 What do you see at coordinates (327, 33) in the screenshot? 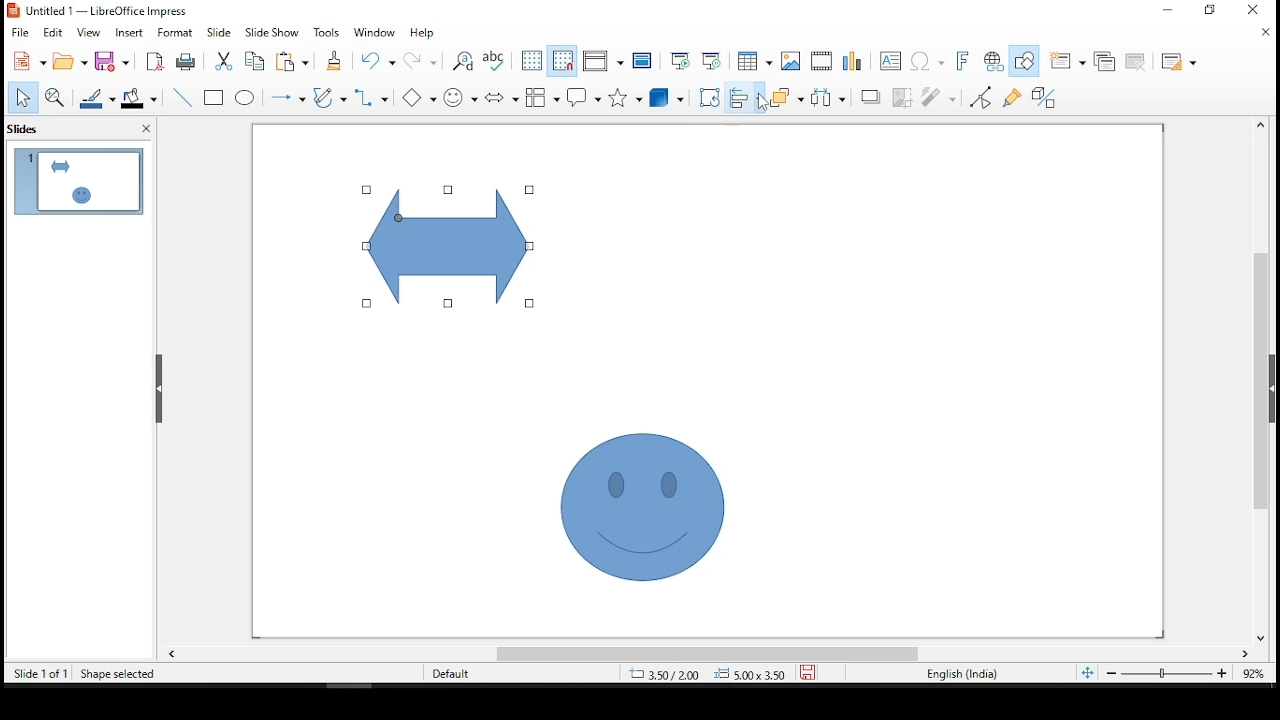
I see `tools` at bounding box center [327, 33].